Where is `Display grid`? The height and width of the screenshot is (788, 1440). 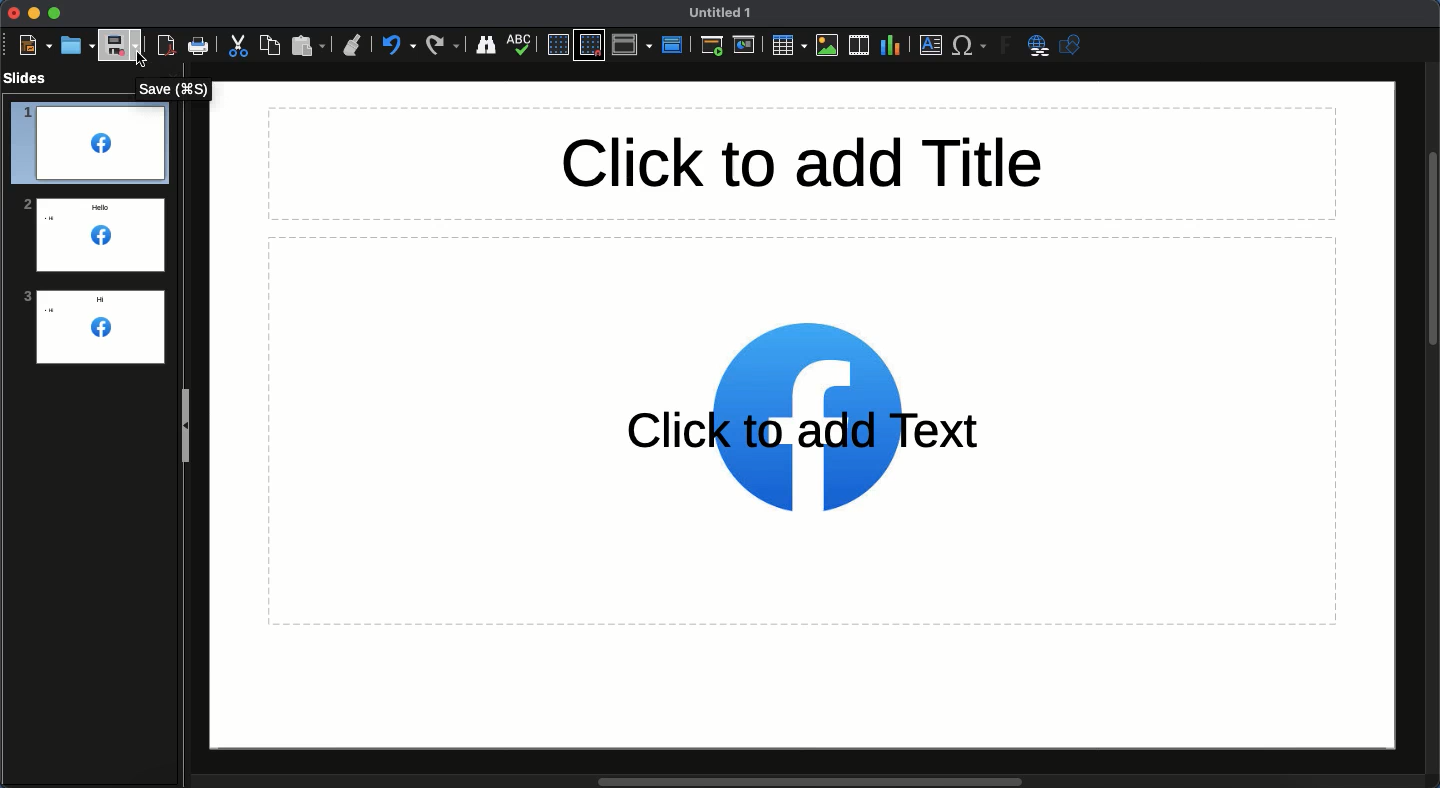
Display grid is located at coordinates (558, 45).